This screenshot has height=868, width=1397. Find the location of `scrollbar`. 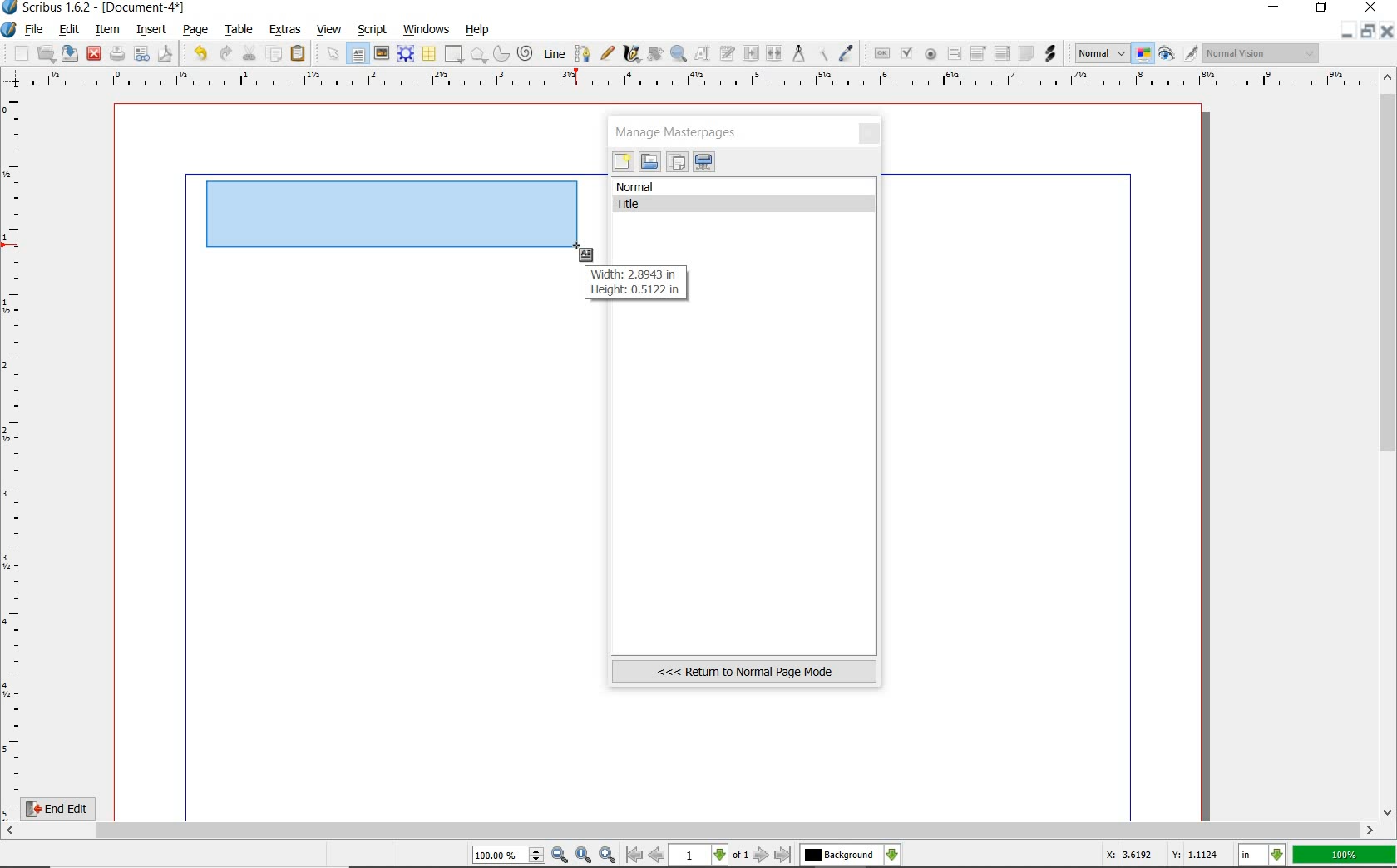

scrollbar is located at coordinates (1389, 443).